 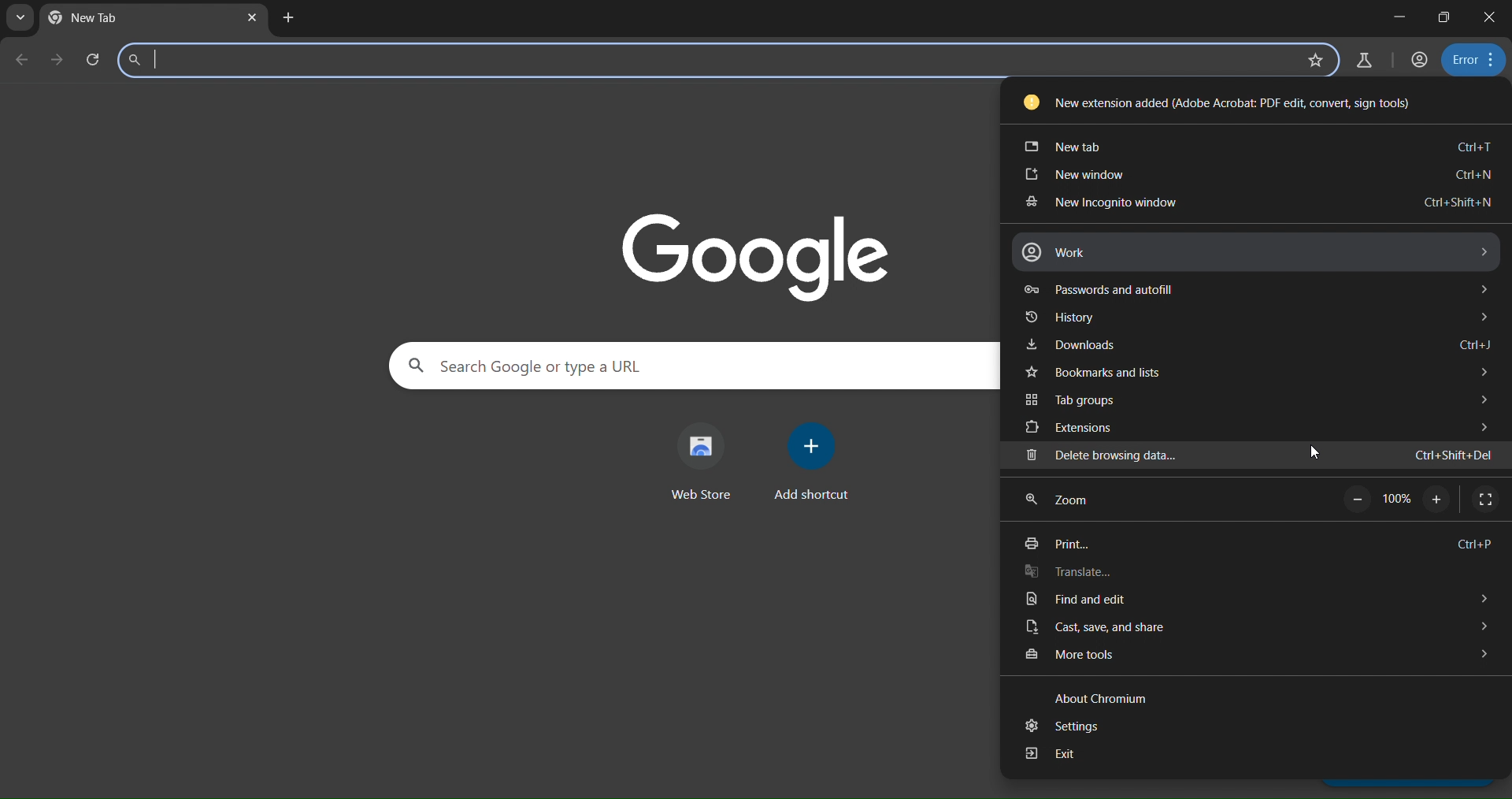 I want to click on zoom, so click(x=1062, y=500).